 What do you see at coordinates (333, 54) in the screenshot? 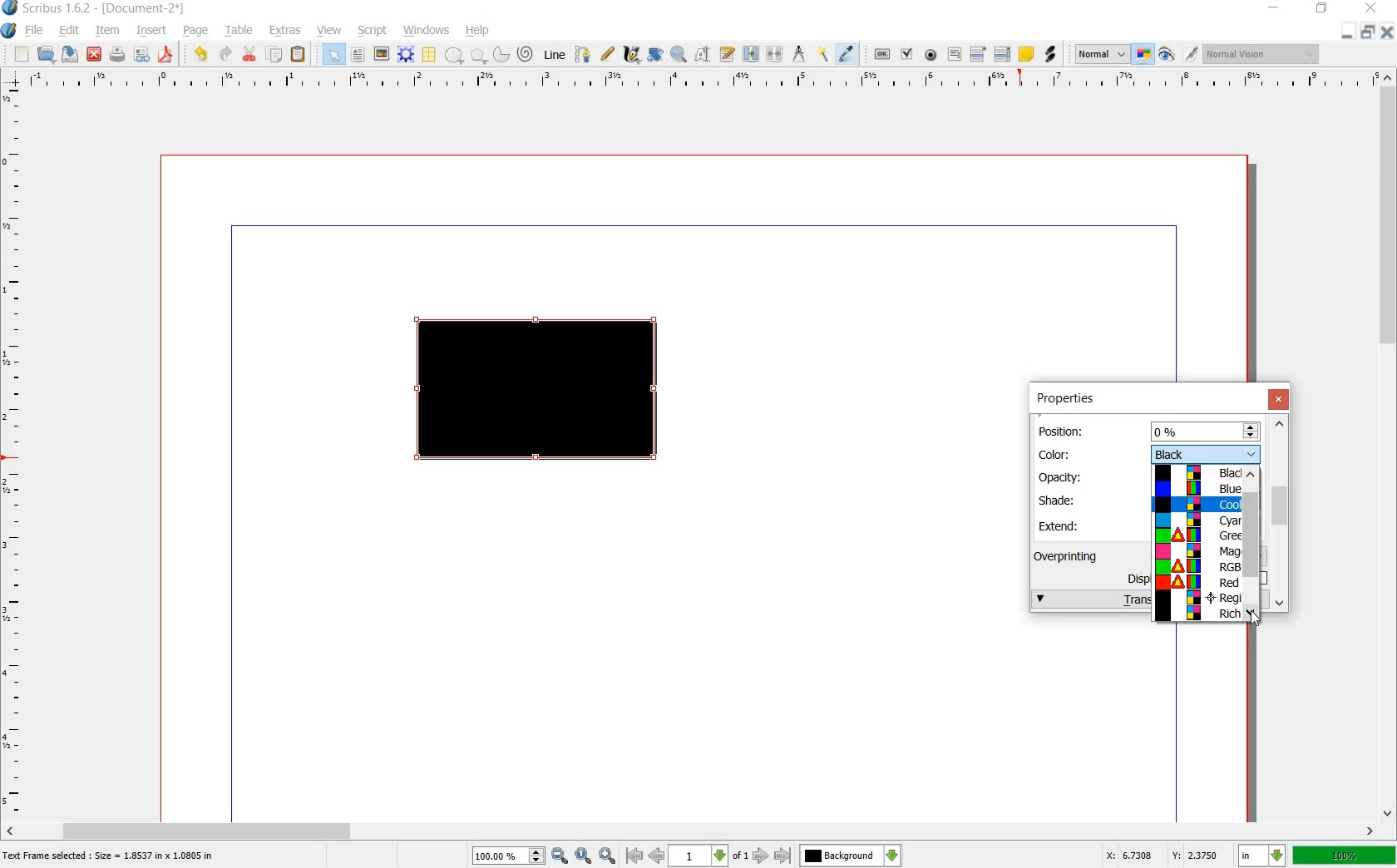
I see `select item` at bounding box center [333, 54].